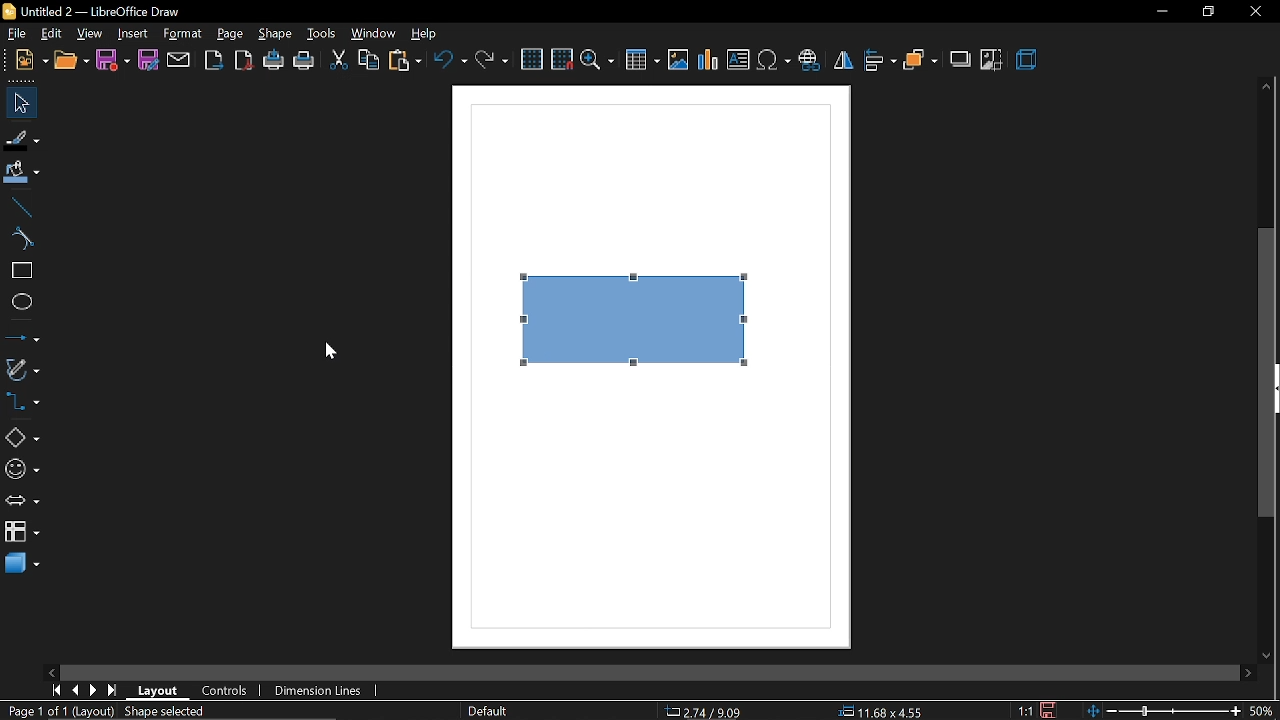 The width and height of the screenshot is (1280, 720). What do you see at coordinates (1025, 710) in the screenshot?
I see `1:1` at bounding box center [1025, 710].